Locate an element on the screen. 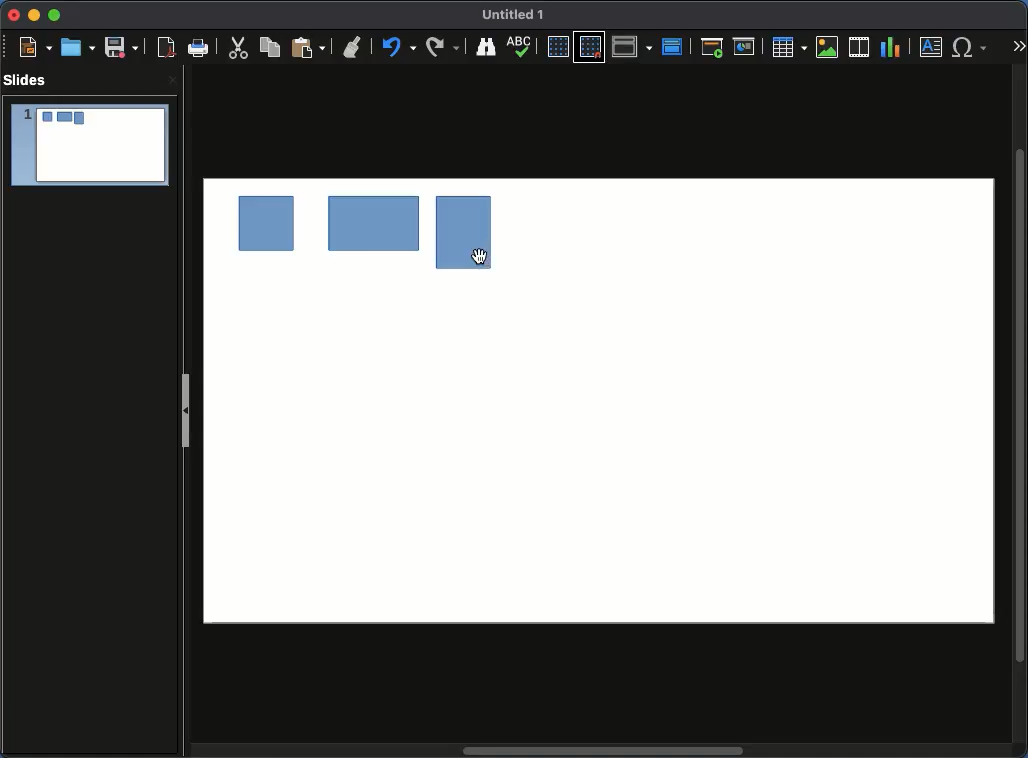  Open is located at coordinates (78, 46).